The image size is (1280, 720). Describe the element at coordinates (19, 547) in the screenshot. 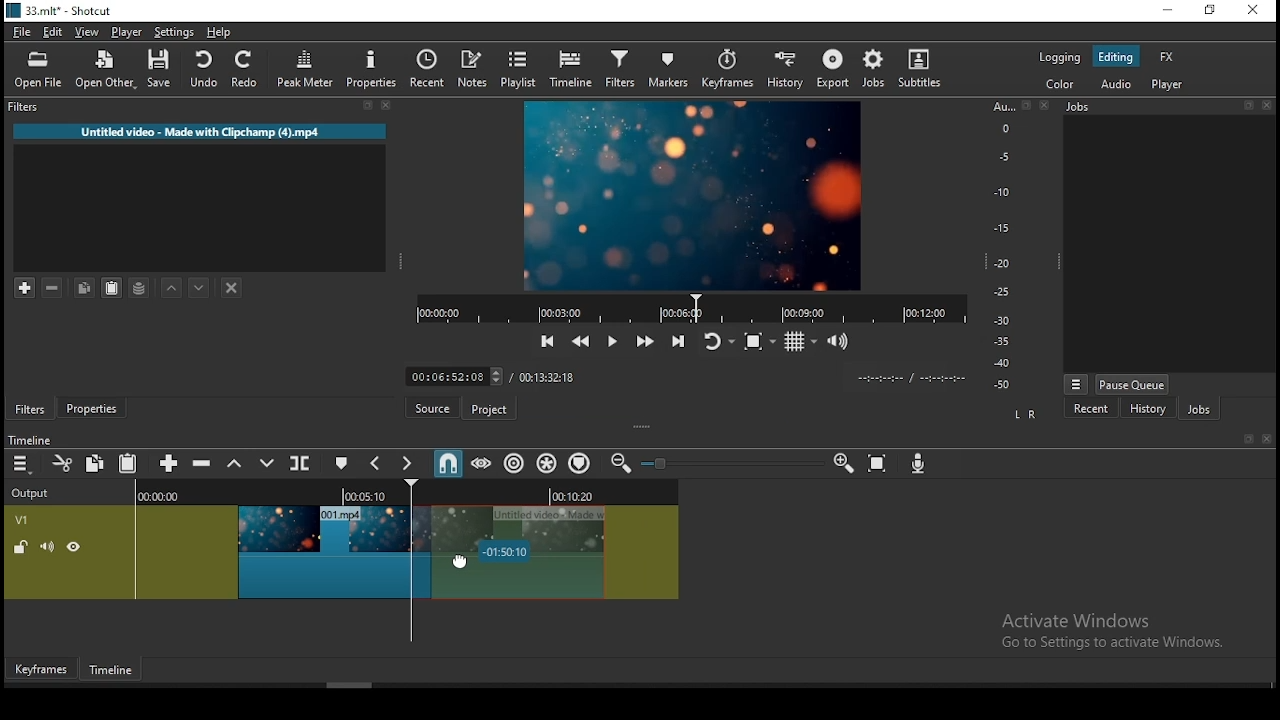

I see `(un)lock` at that location.